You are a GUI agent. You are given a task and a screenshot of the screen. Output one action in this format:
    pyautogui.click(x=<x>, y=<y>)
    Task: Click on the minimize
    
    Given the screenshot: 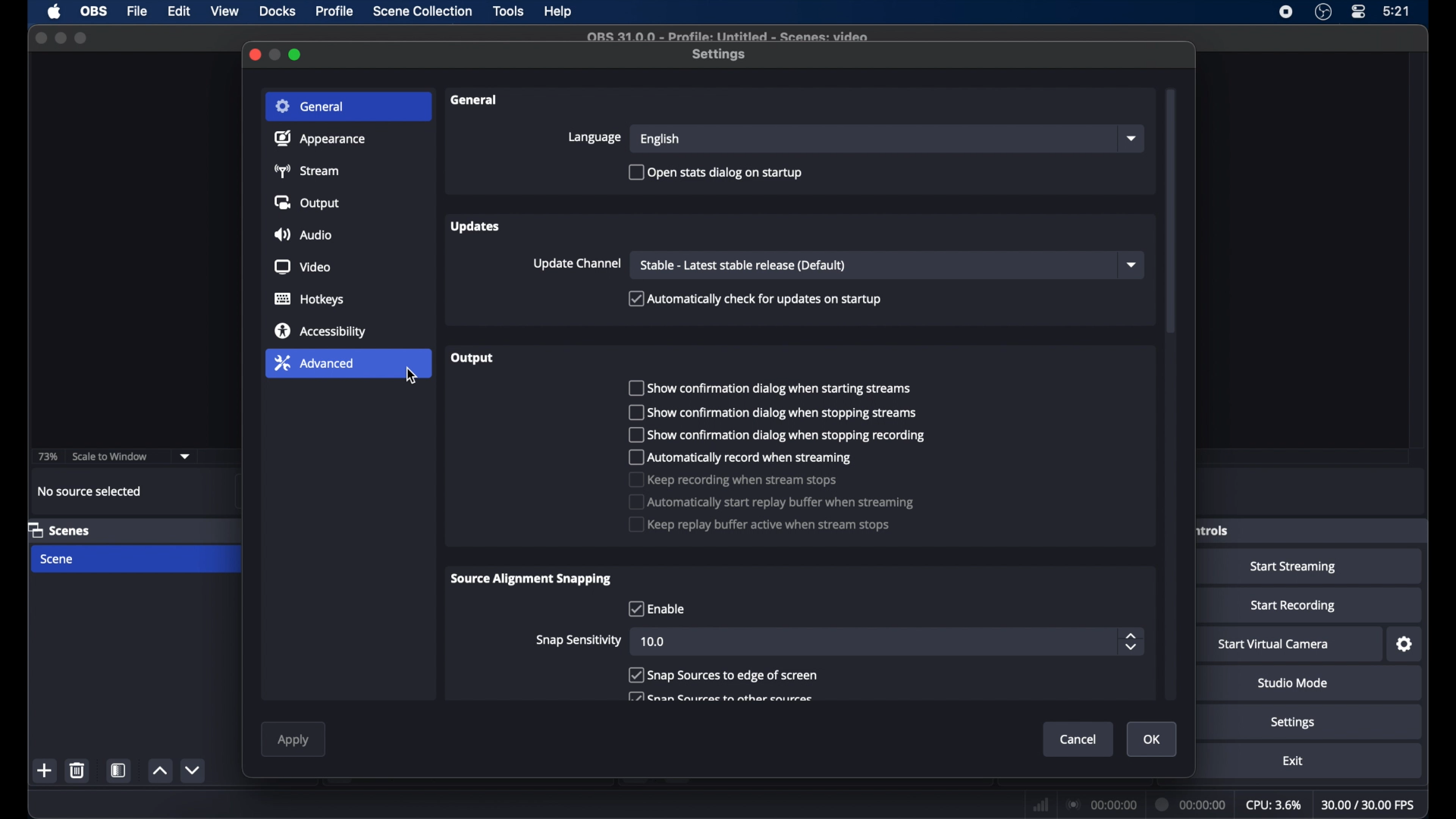 What is the action you would take?
    pyautogui.click(x=276, y=55)
    